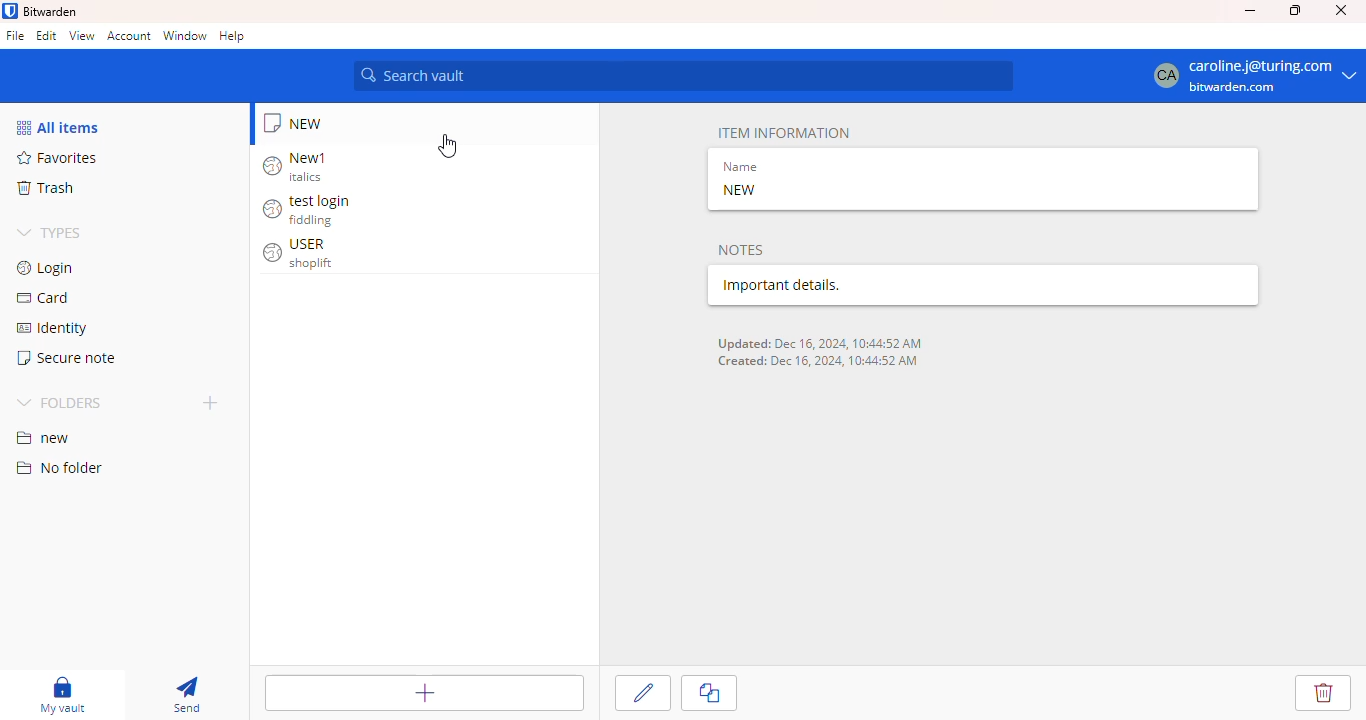 The image size is (1366, 720). Describe the element at coordinates (9, 11) in the screenshot. I see `logo` at that location.